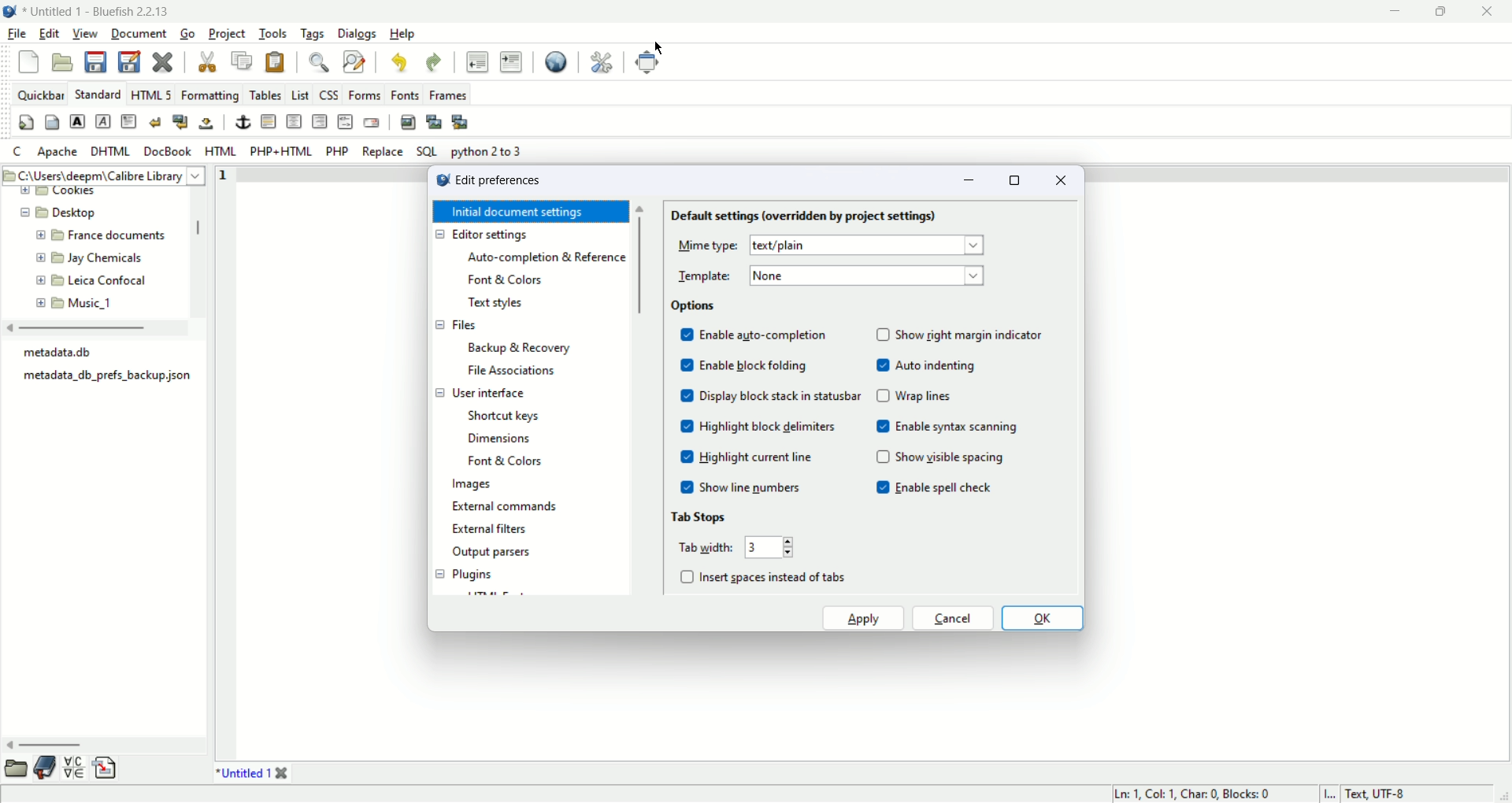 The image size is (1512, 803). I want to click on checkbox, so click(882, 411).